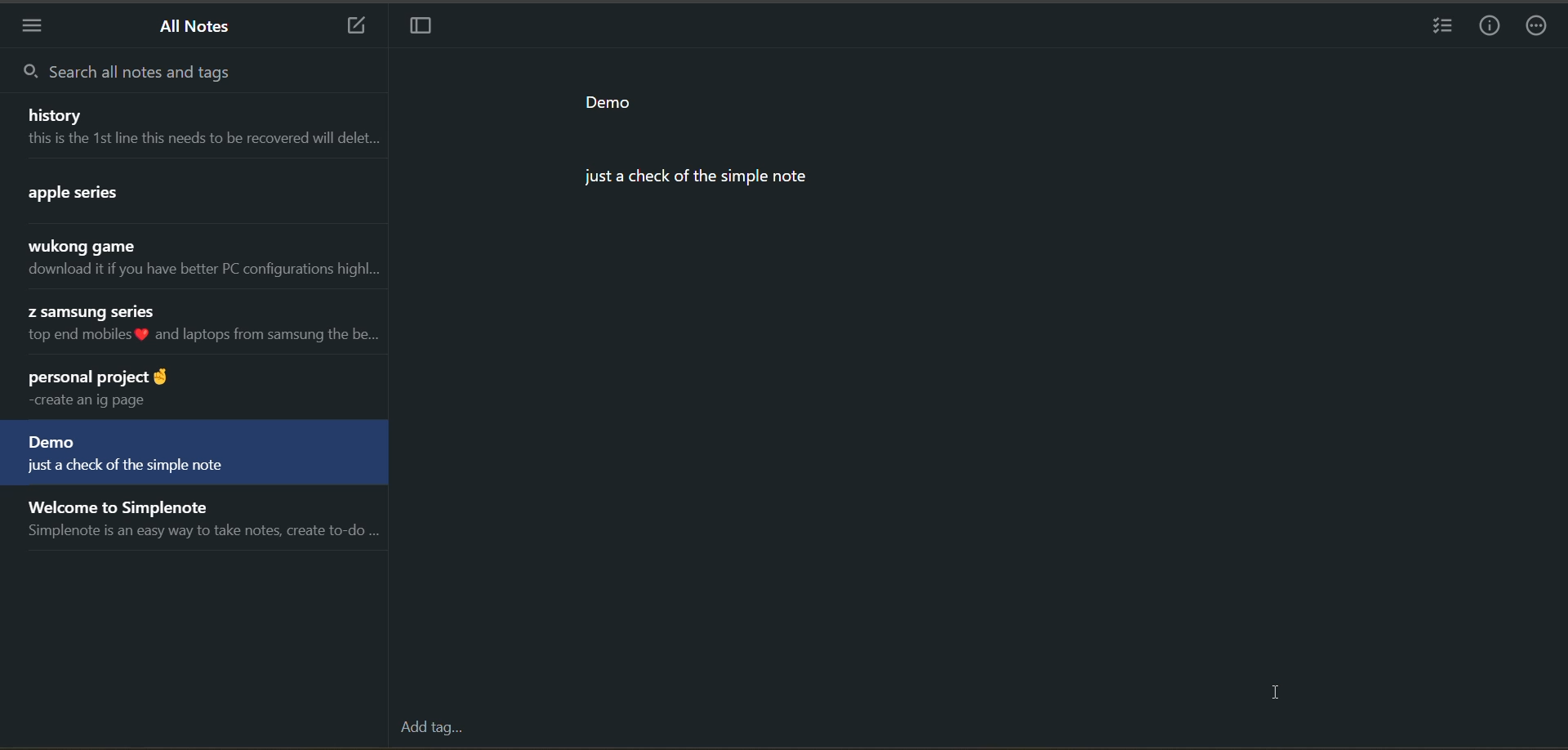  I want to click on note title and preview, so click(195, 194).